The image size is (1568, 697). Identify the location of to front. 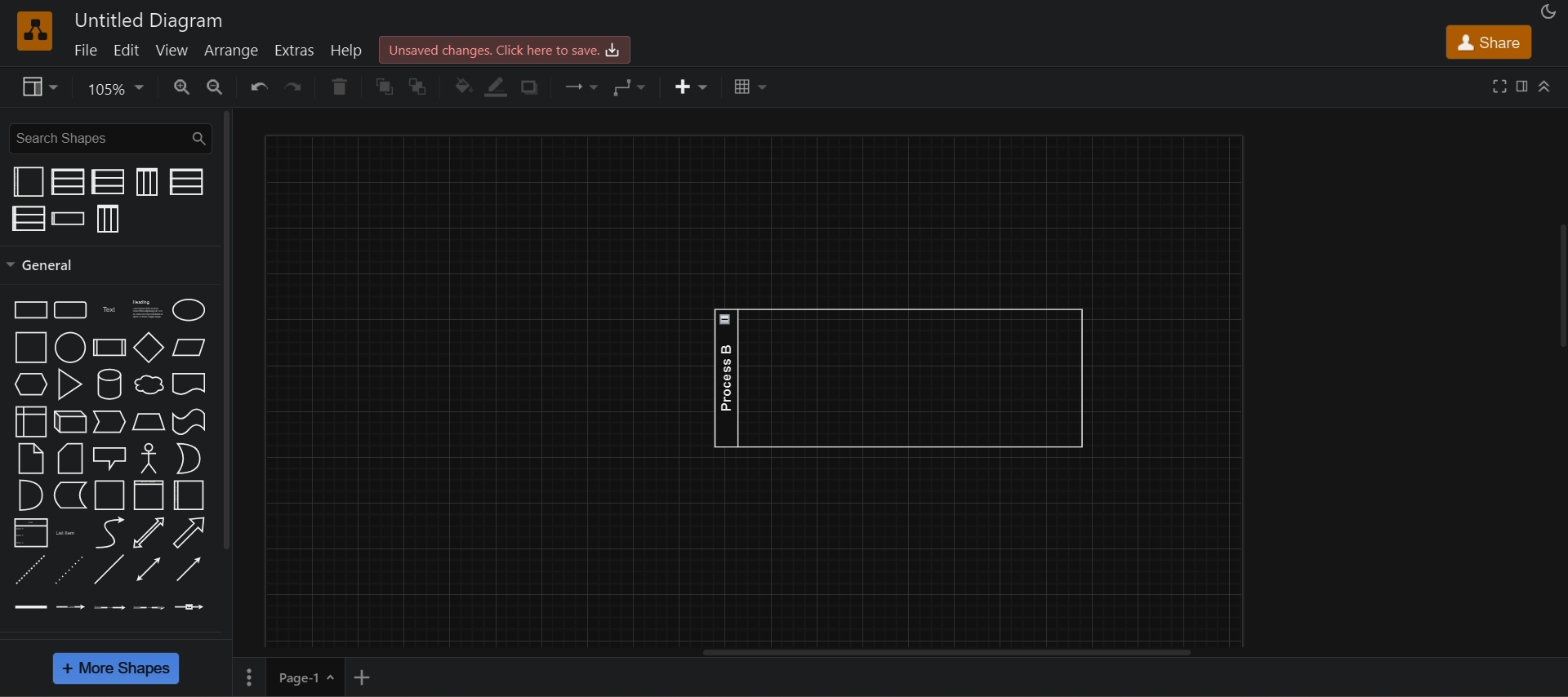
(385, 87).